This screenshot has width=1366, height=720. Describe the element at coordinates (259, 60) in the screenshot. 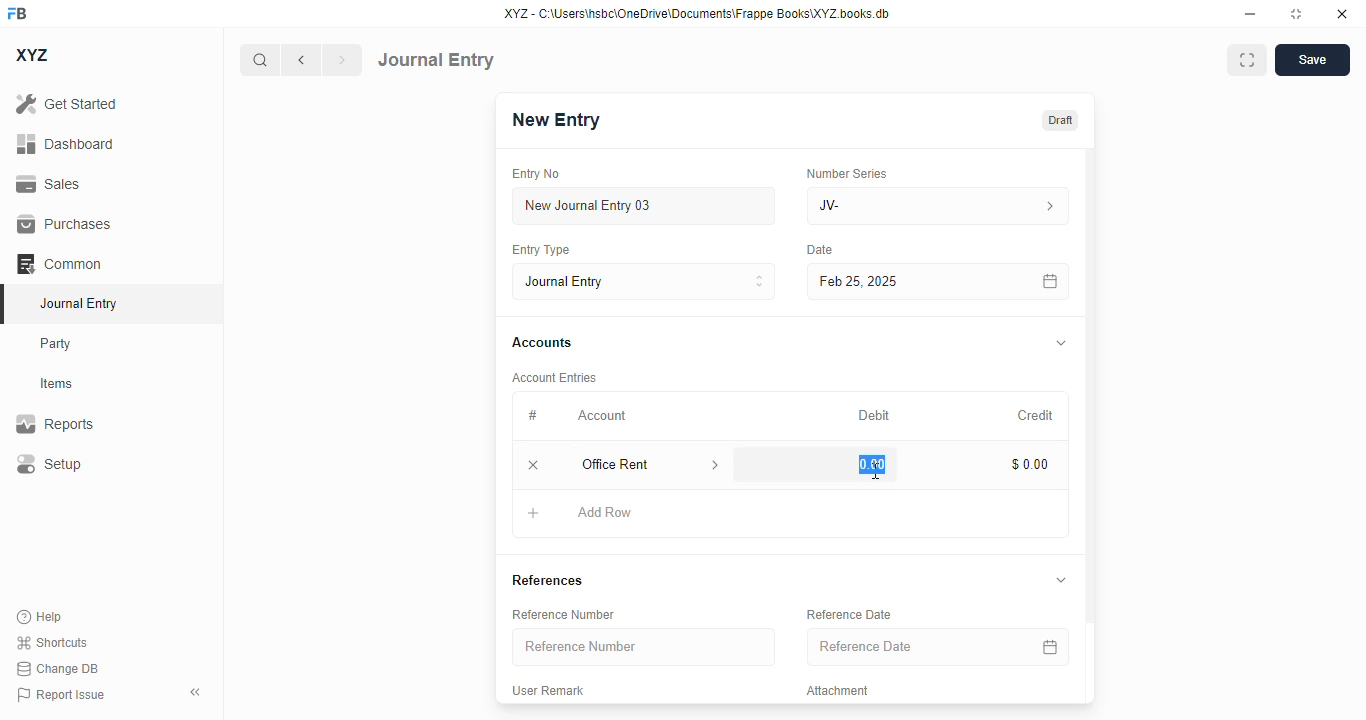

I see `search` at that location.